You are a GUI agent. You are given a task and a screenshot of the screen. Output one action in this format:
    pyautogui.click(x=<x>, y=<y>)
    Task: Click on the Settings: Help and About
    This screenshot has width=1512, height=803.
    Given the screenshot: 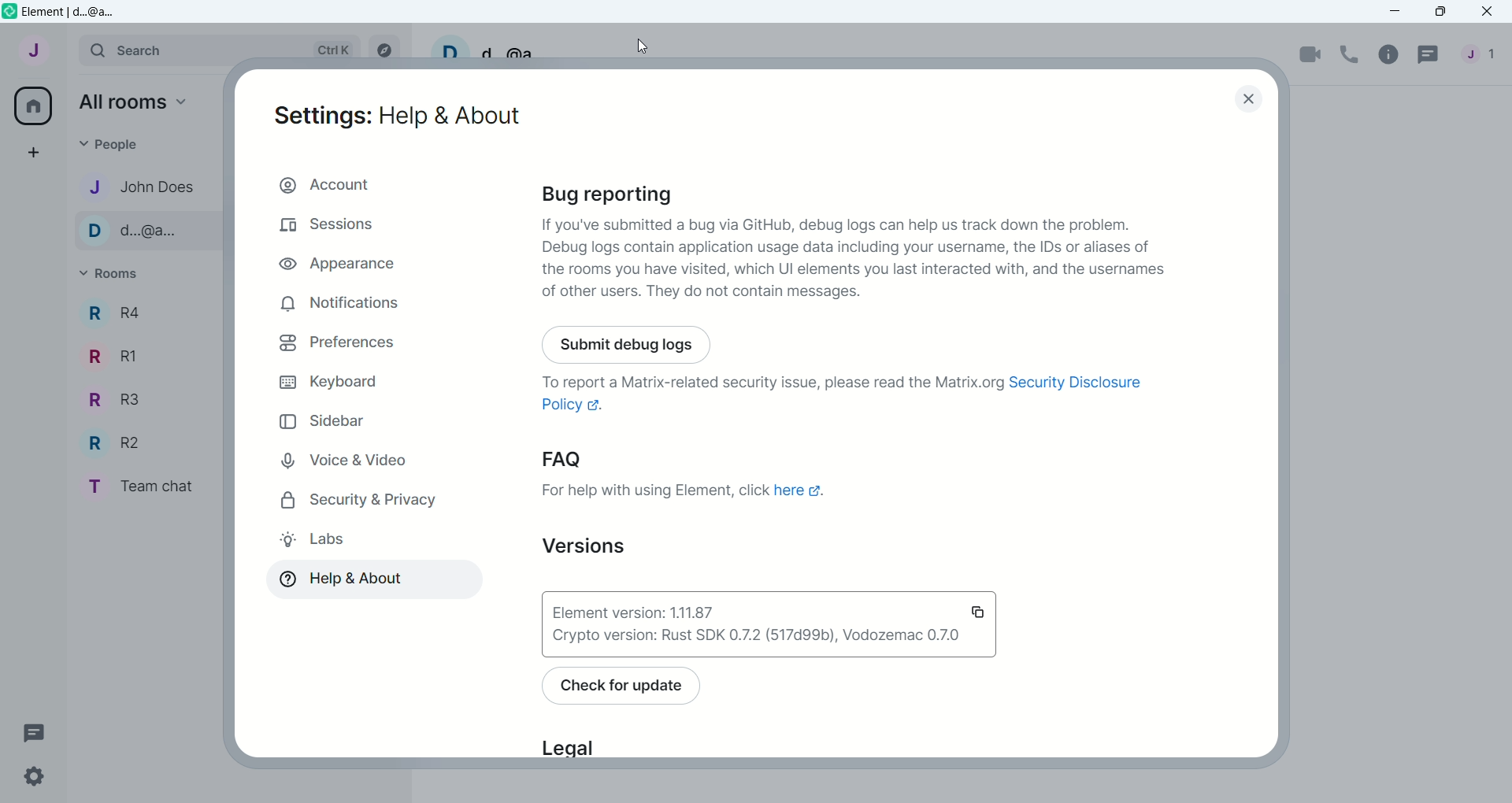 What is the action you would take?
    pyautogui.click(x=395, y=115)
    